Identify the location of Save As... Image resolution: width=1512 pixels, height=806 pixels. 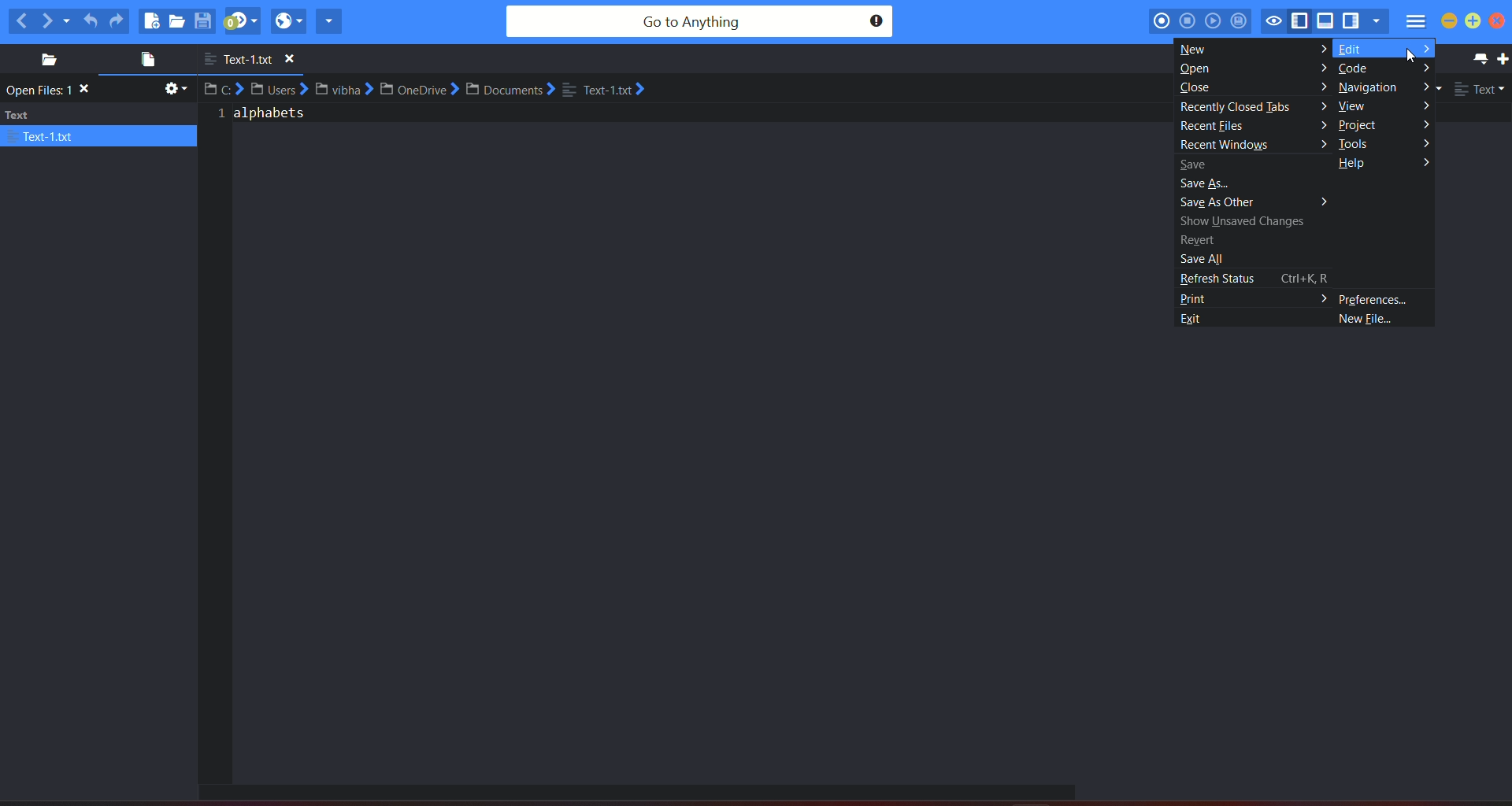
(1205, 182).